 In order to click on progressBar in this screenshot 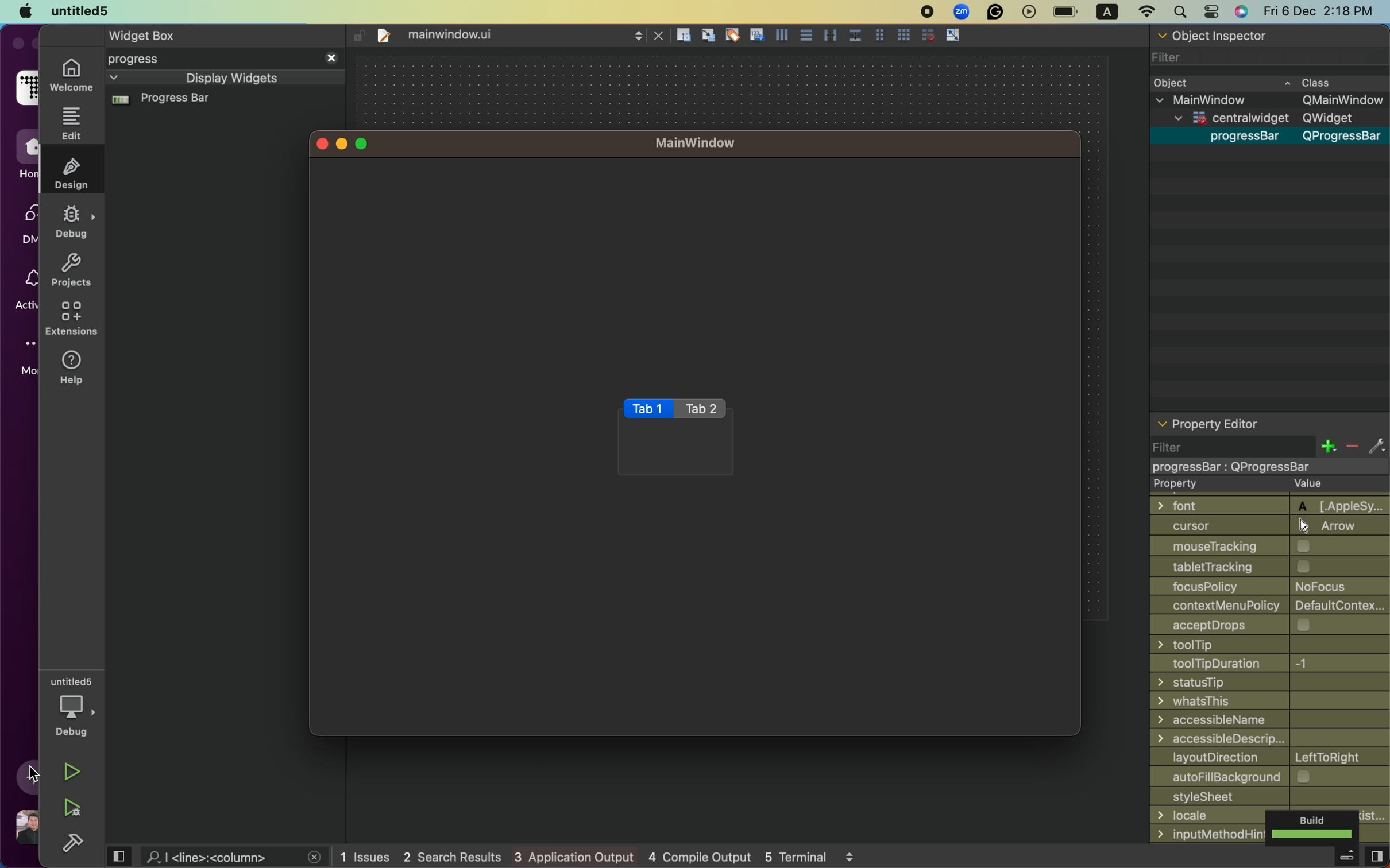, I will do `click(1294, 137)`.